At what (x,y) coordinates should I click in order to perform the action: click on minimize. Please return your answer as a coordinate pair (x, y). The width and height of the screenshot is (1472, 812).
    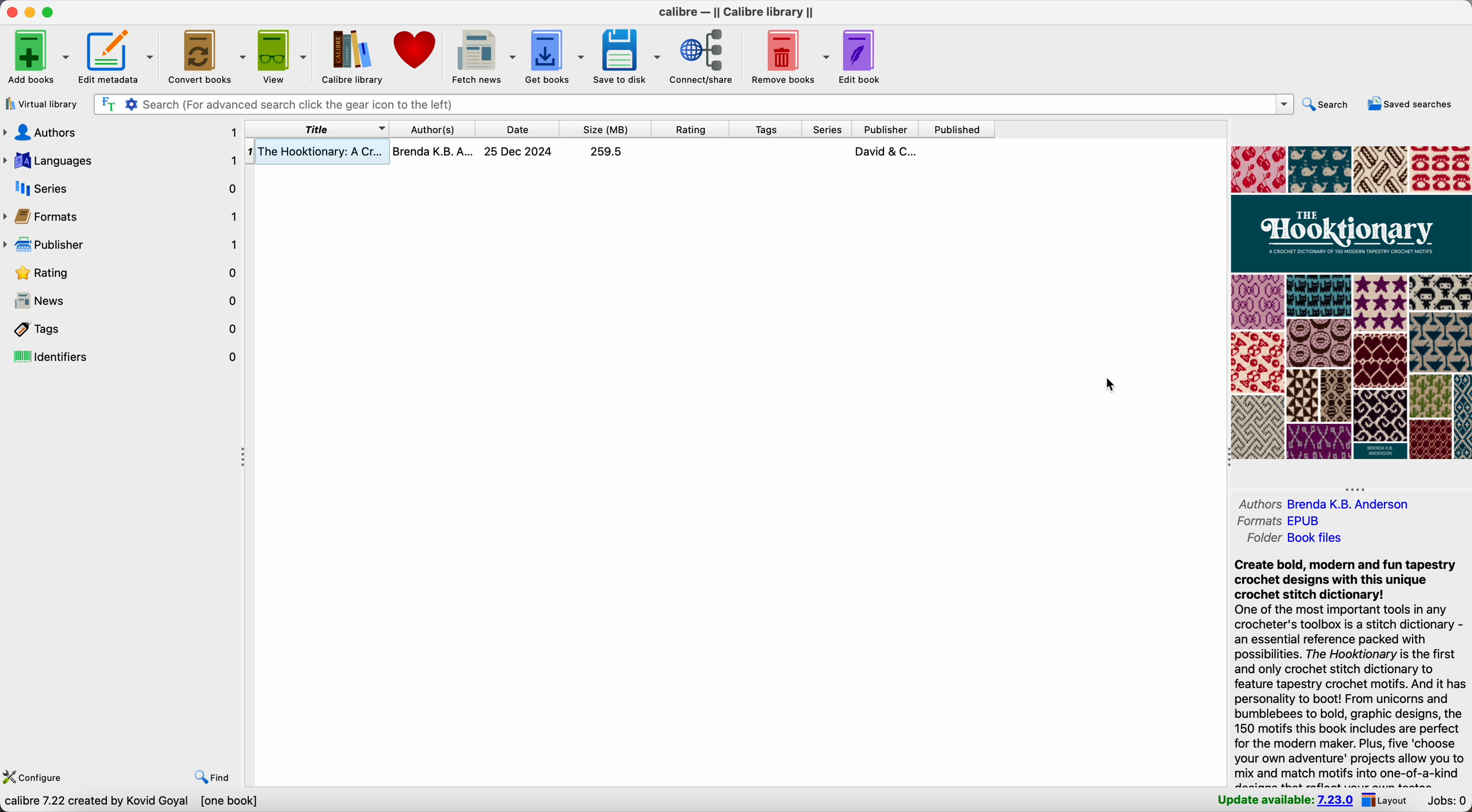
    Looking at the image, I should click on (29, 13).